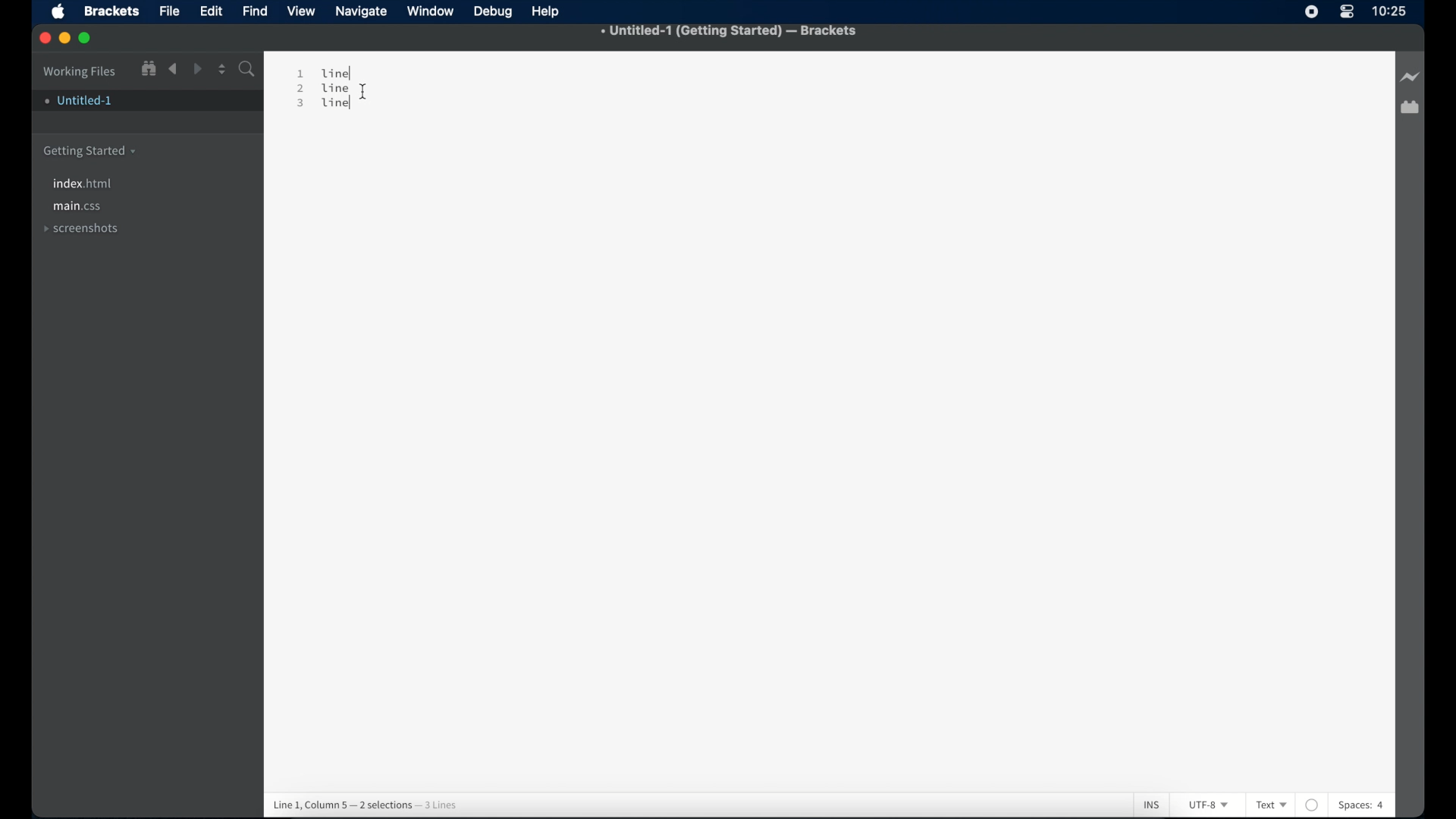 The image size is (1456, 819). I want to click on untitled-1 (getting started)  -  brackets, so click(730, 31).